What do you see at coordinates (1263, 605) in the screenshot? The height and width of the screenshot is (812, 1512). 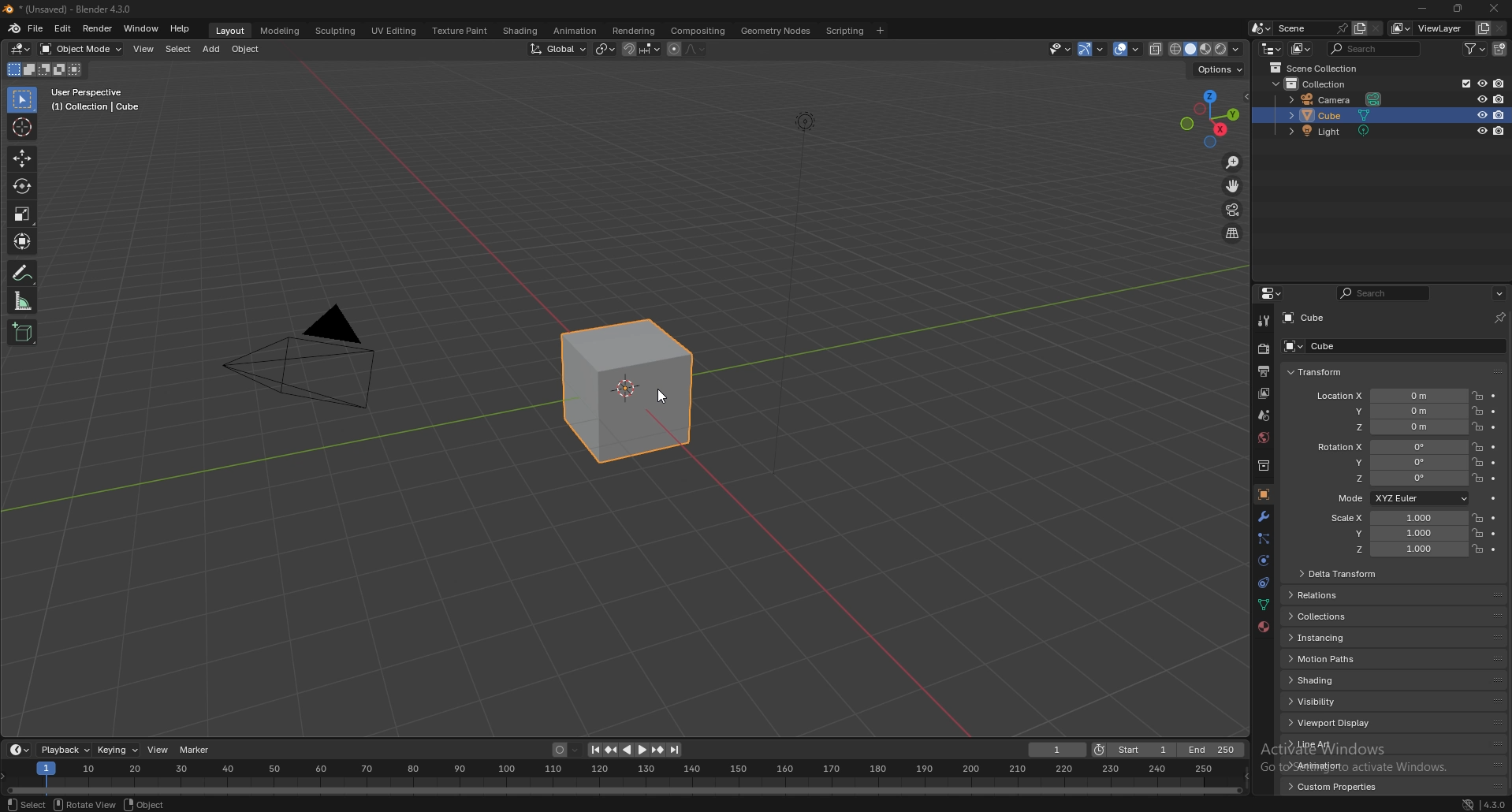 I see `data` at bounding box center [1263, 605].